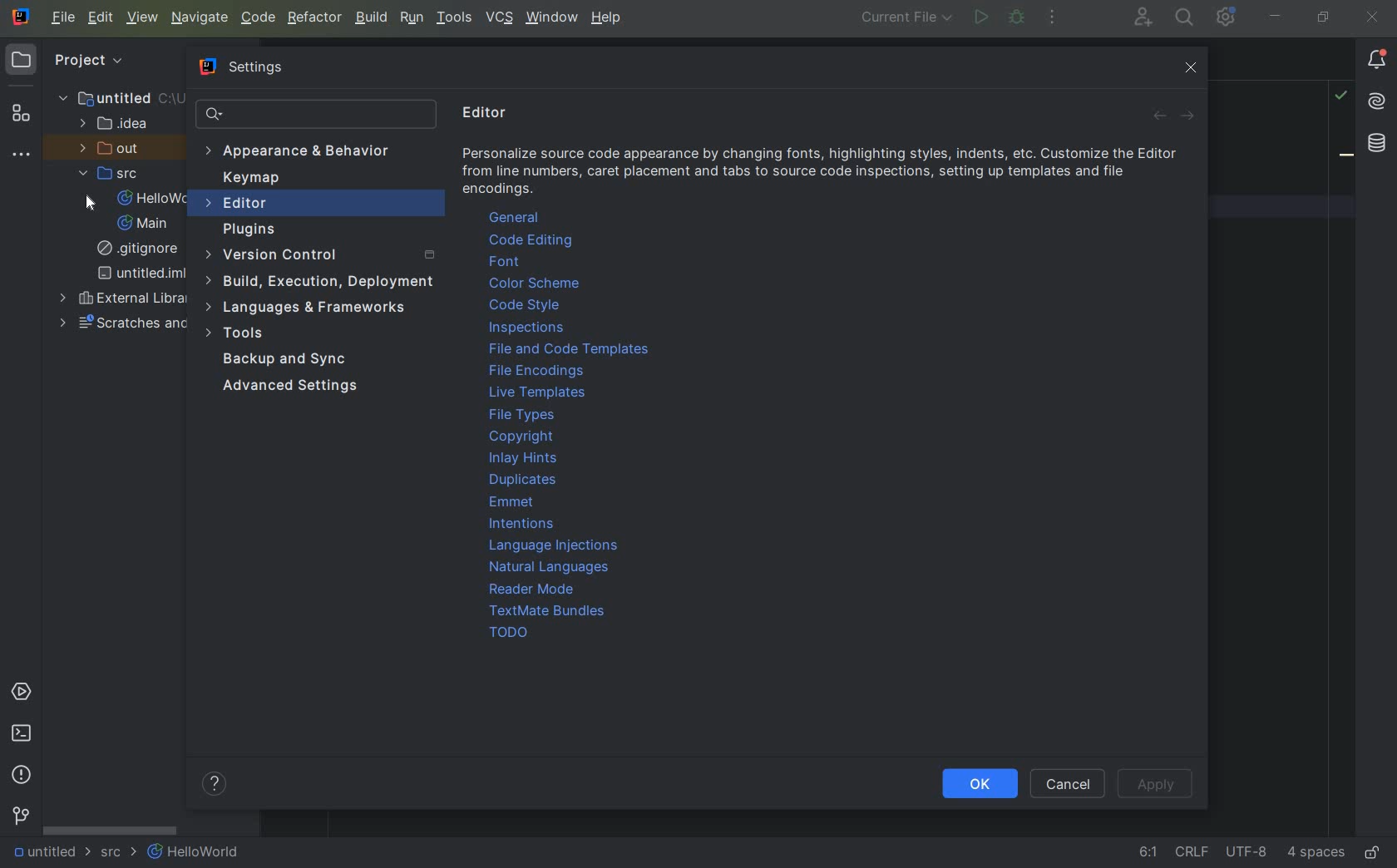 The height and width of the screenshot is (868, 1397). Describe the element at coordinates (507, 634) in the screenshot. I see `TODO` at that location.